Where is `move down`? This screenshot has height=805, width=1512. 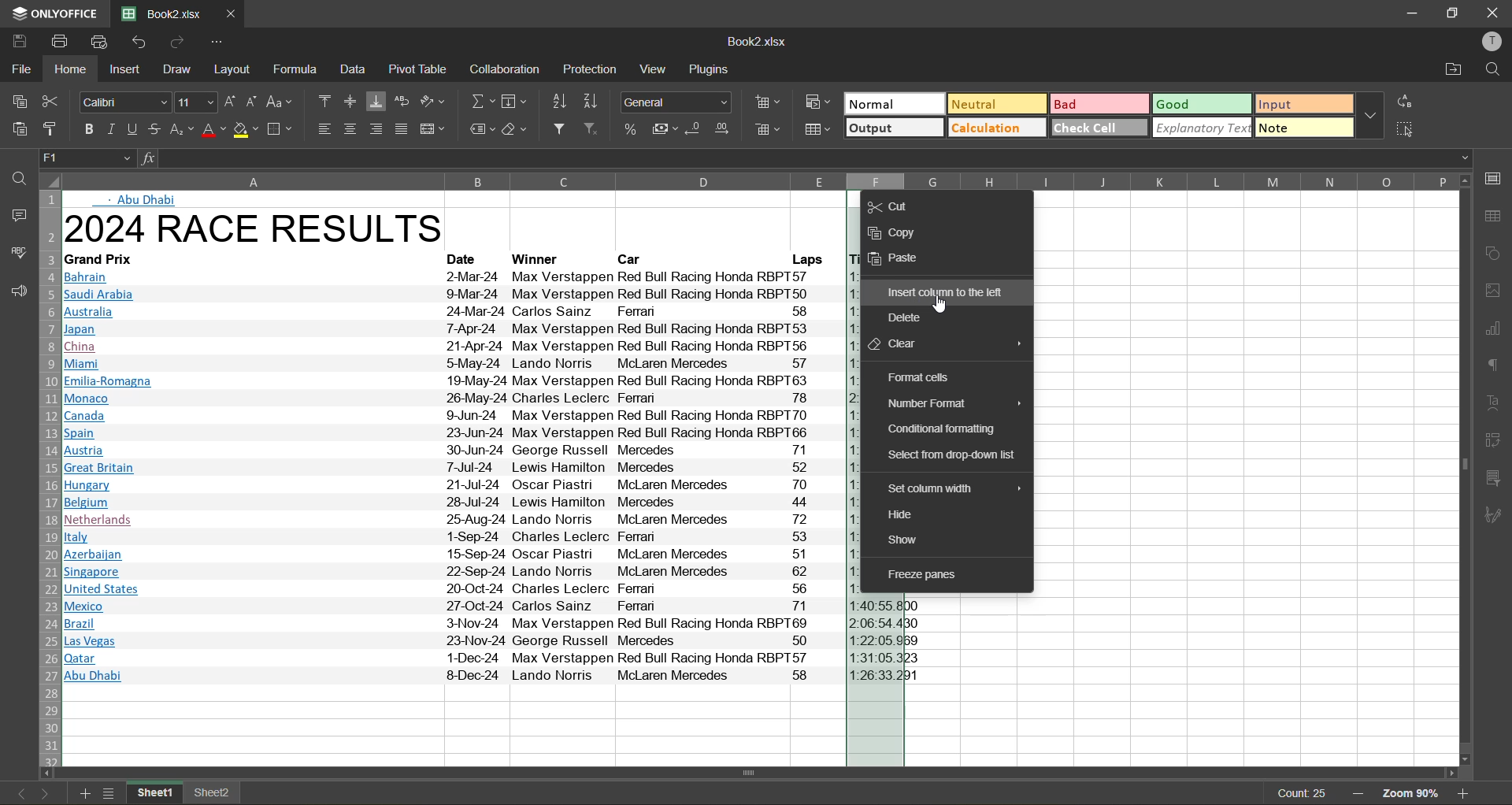 move down is located at coordinates (1466, 760).